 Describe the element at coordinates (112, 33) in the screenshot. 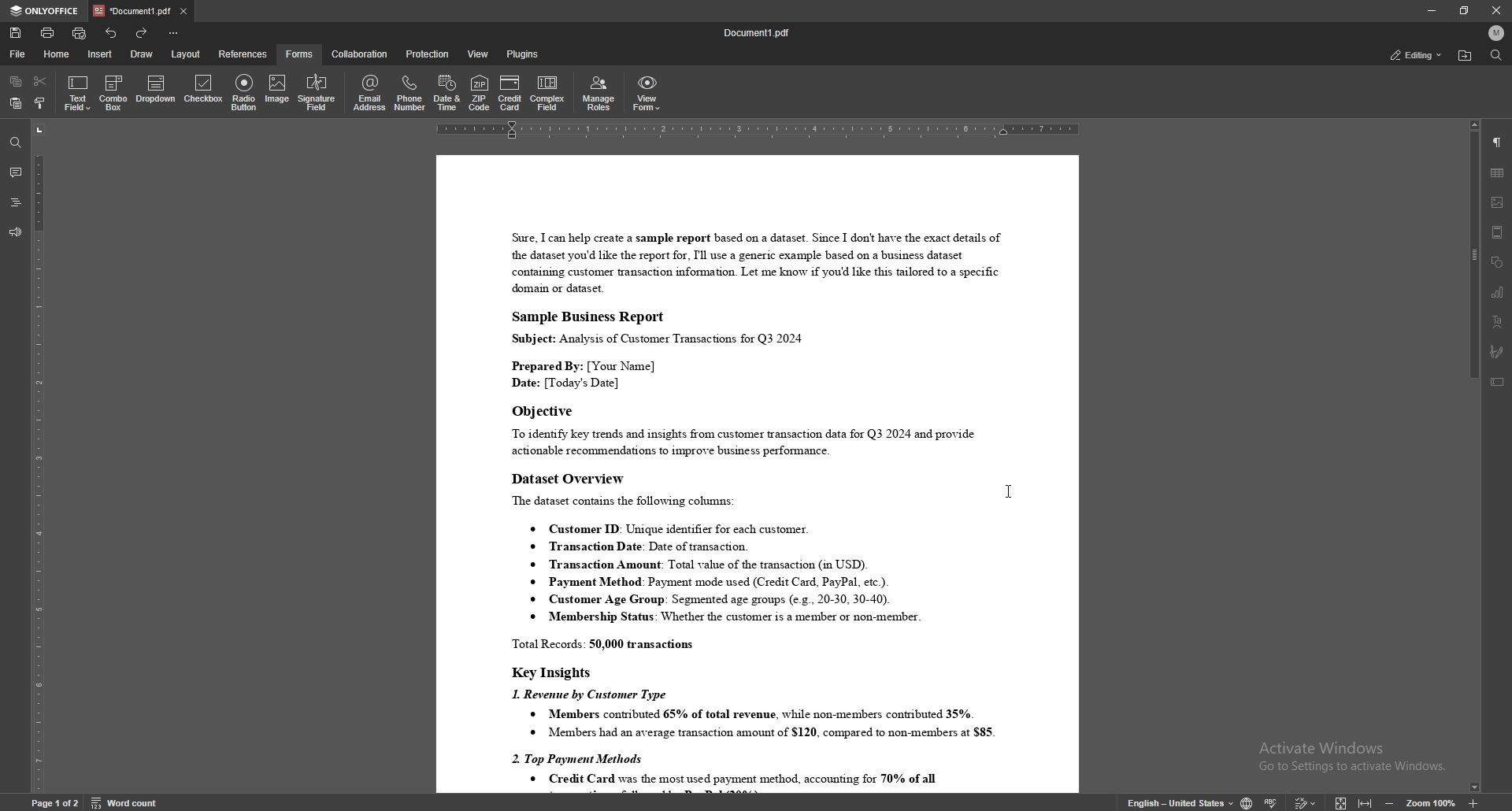

I see `undo` at that location.